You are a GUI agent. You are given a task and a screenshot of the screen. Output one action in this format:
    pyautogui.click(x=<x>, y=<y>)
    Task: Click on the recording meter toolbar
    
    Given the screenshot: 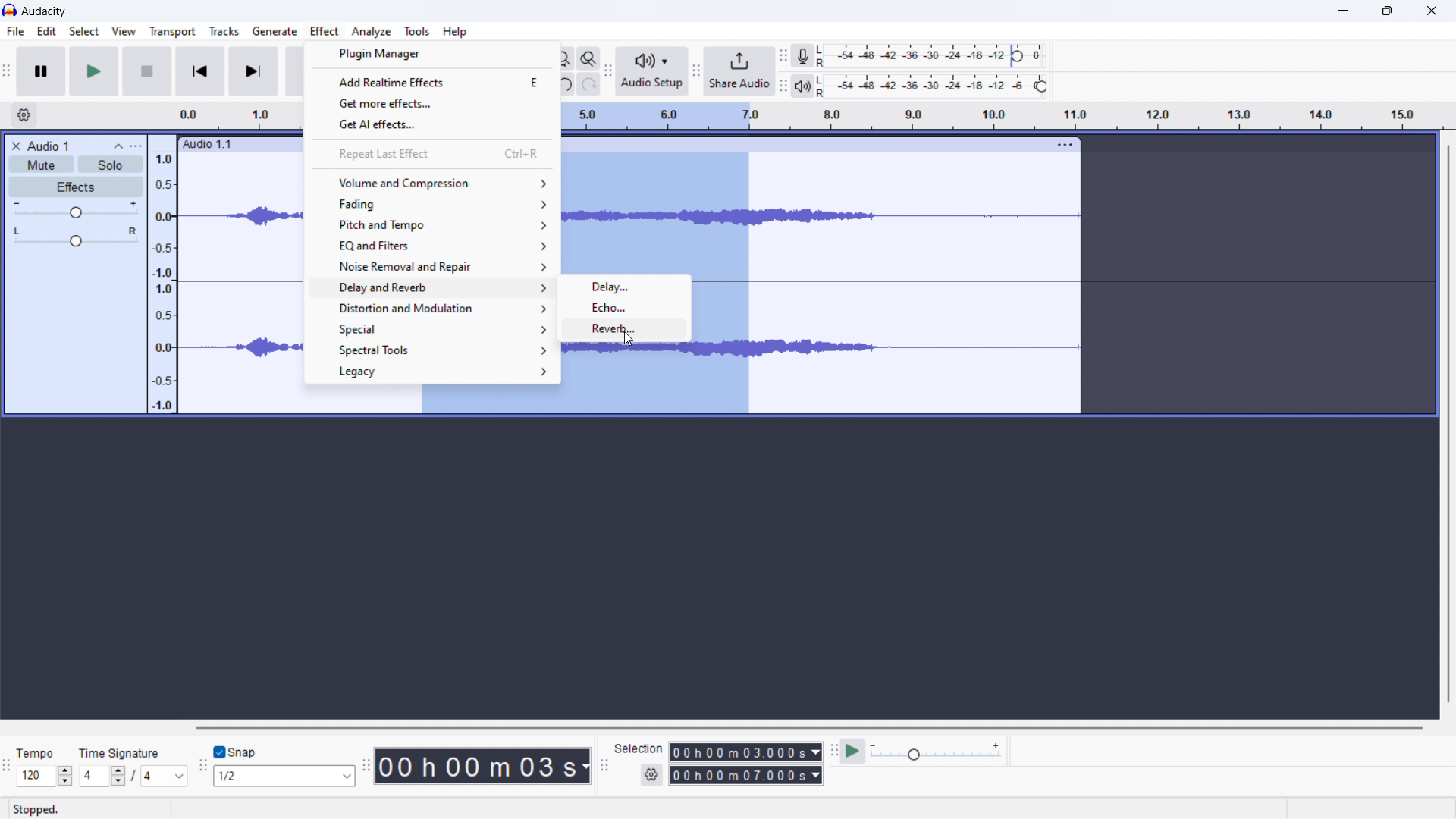 What is the action you would take?
    pyautogui.click(x=783, y=56)
    